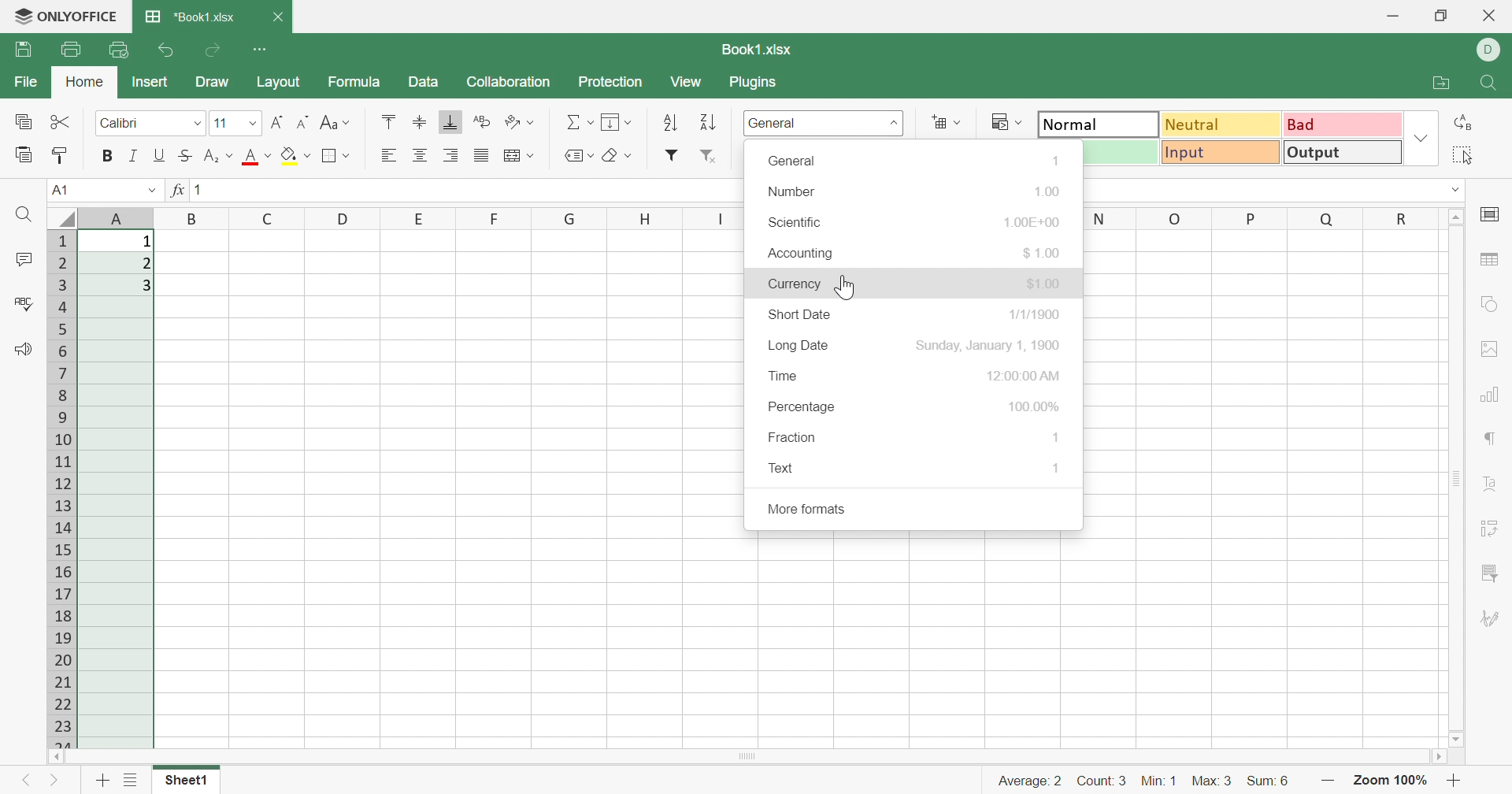 This screenshot has height=794, width=1512. What do you see at coordinates (388, 120) in the screenshot?
I see `Align top` at bounding box center [388, 120].